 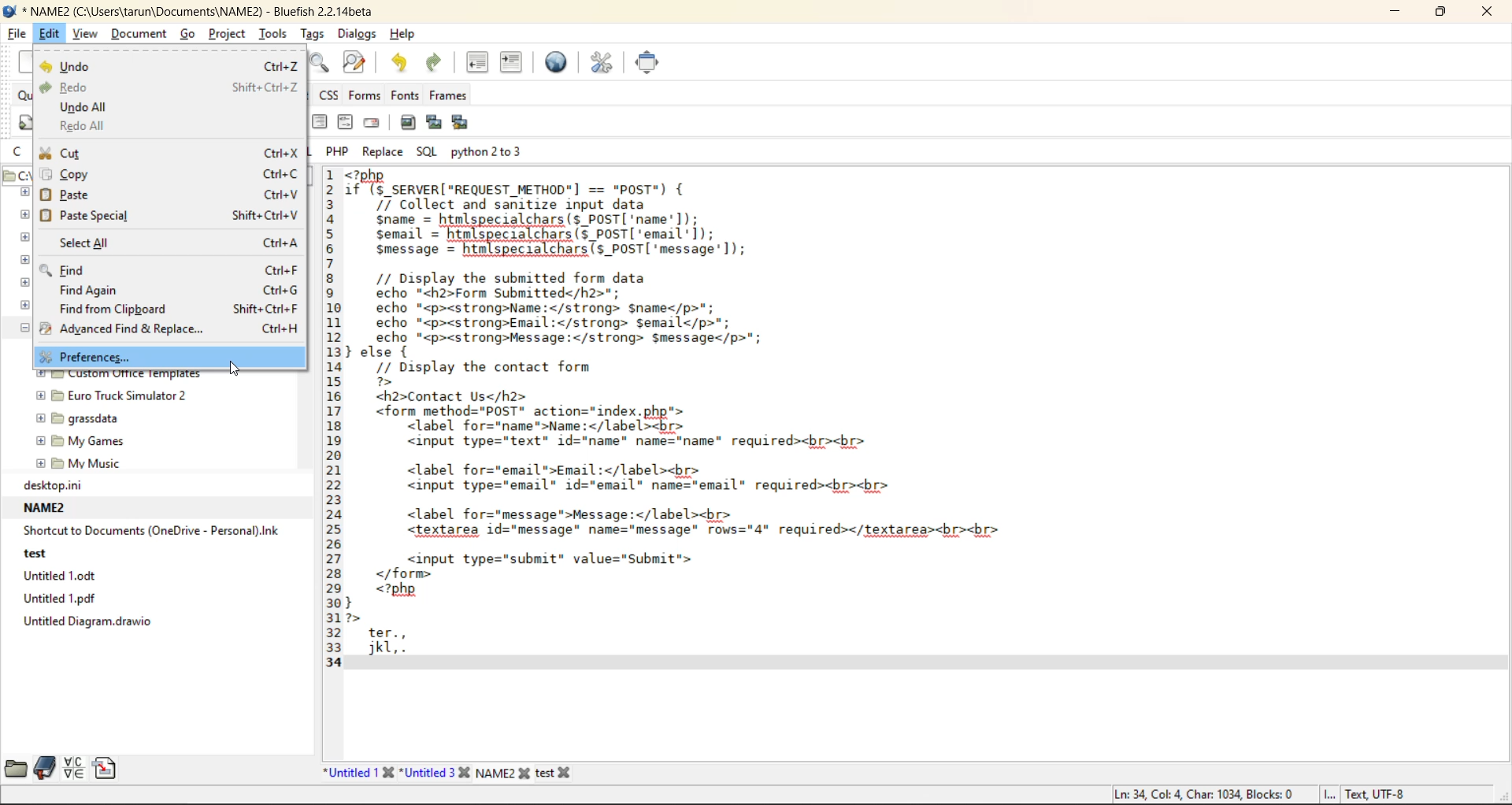 What do you see at coordinates (374, 123) in the screenshot?
I see `email` at bounding box center [374, 123].